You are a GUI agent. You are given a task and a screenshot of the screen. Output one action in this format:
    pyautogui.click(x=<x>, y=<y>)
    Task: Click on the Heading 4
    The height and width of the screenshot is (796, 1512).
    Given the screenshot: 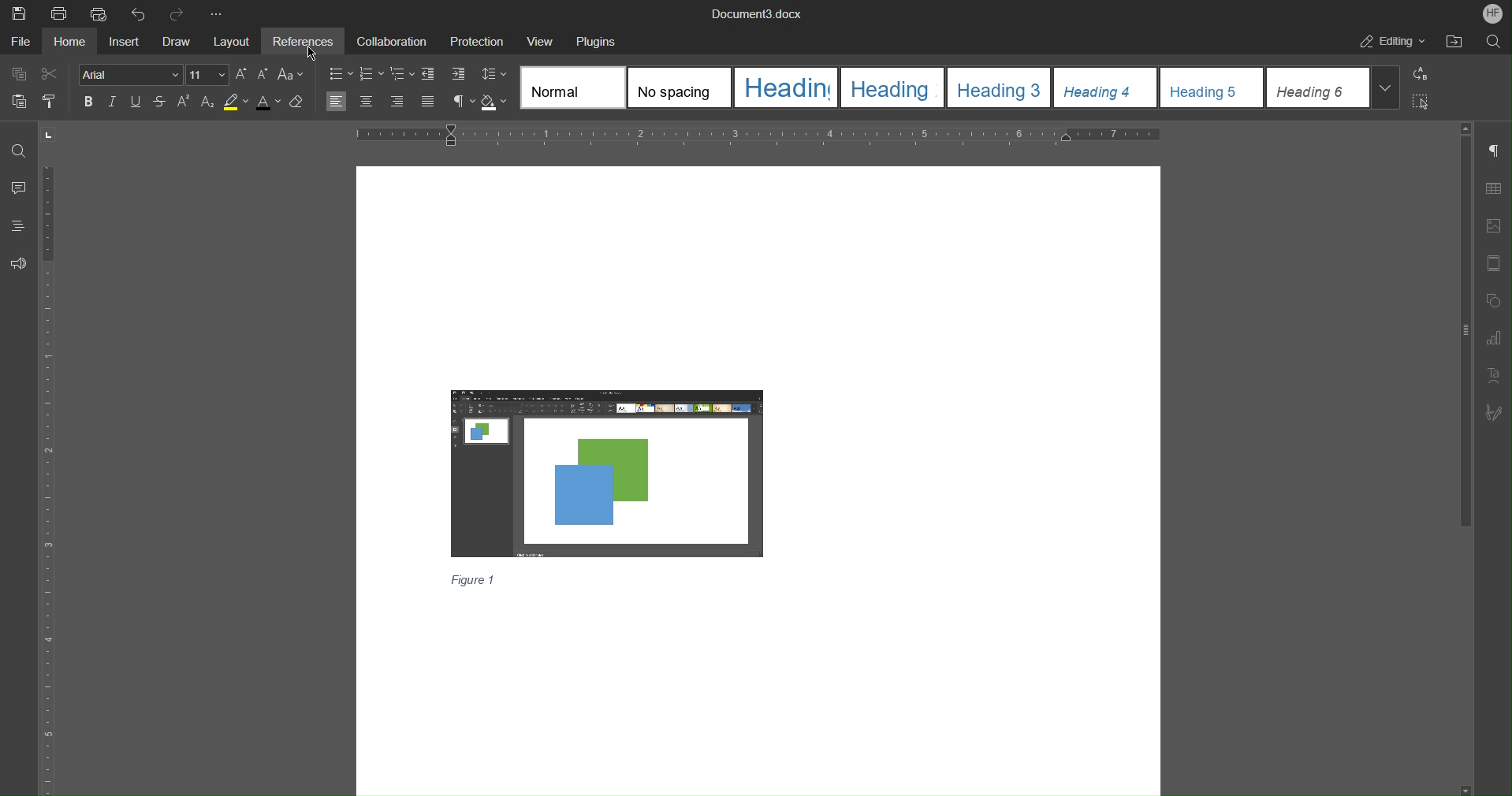 What is the action you would take?
    pyautogui.click(x=1105, y=89)
    